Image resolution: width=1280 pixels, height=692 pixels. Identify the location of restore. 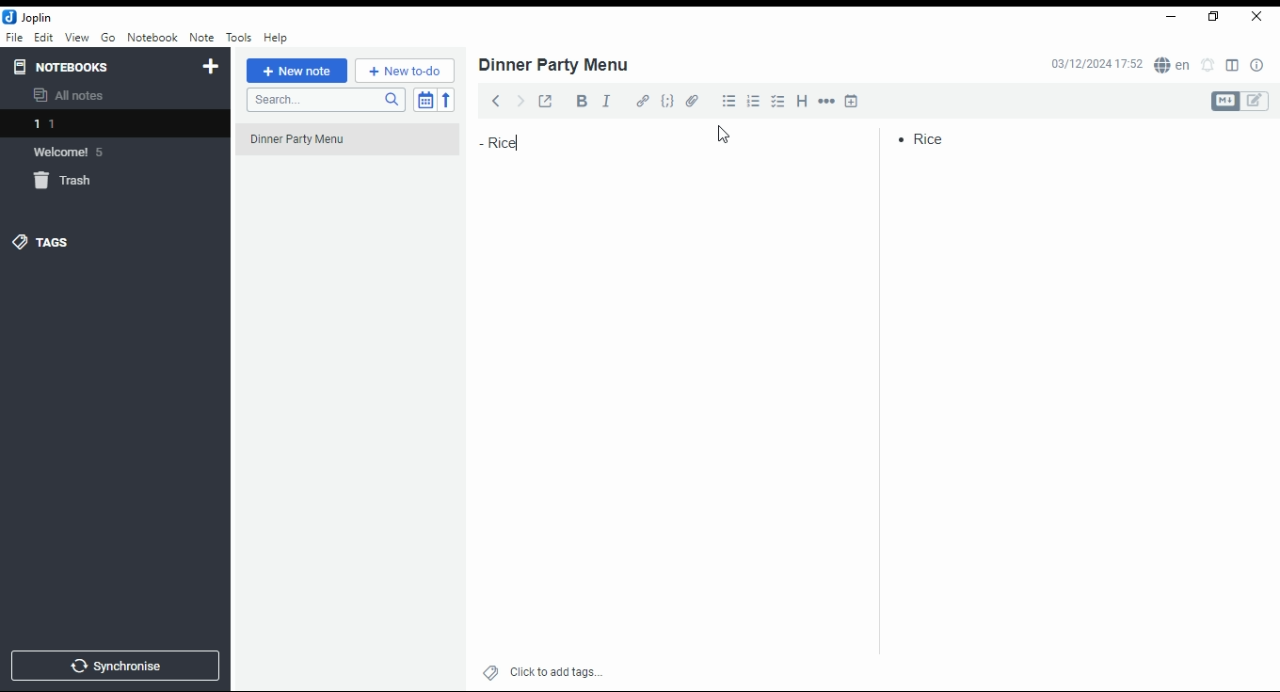
(1215, 18).